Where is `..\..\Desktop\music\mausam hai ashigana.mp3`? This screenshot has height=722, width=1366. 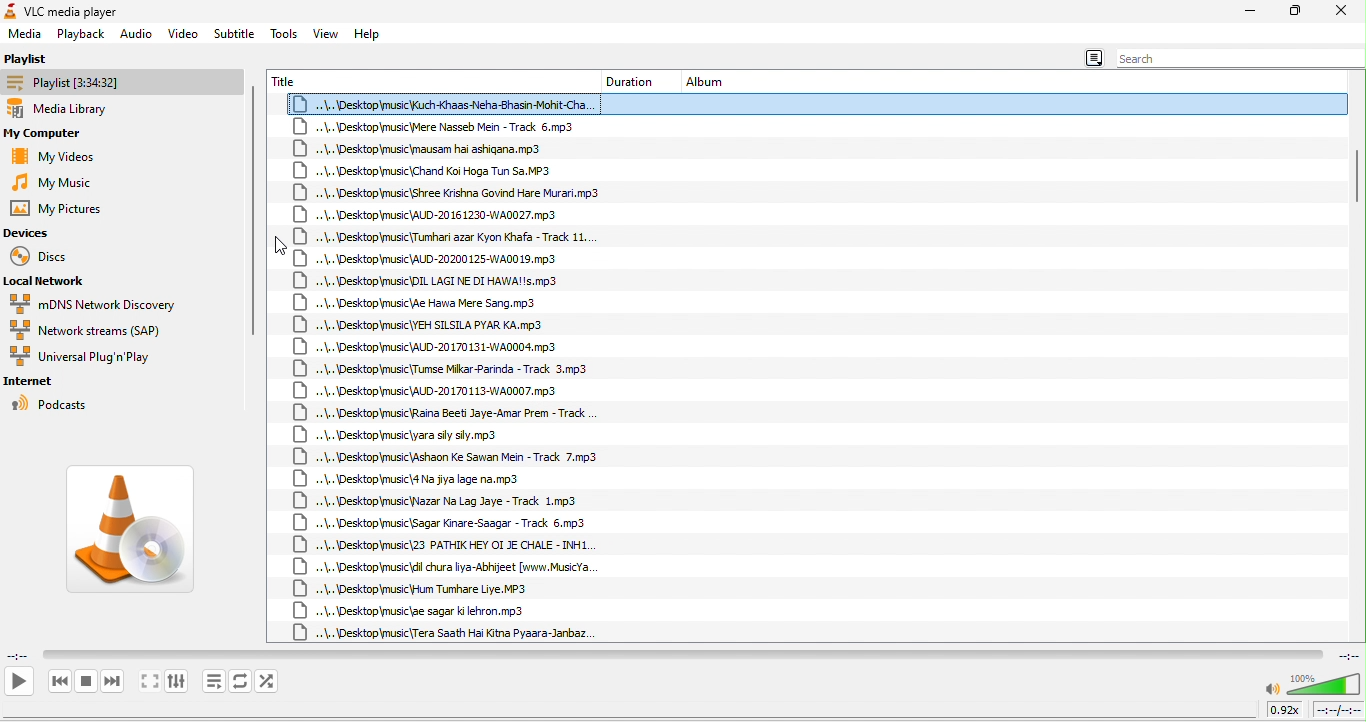
..\..\Desktop\music\mausam hai ashigana.mp3 is located at coordinates (435, 147).